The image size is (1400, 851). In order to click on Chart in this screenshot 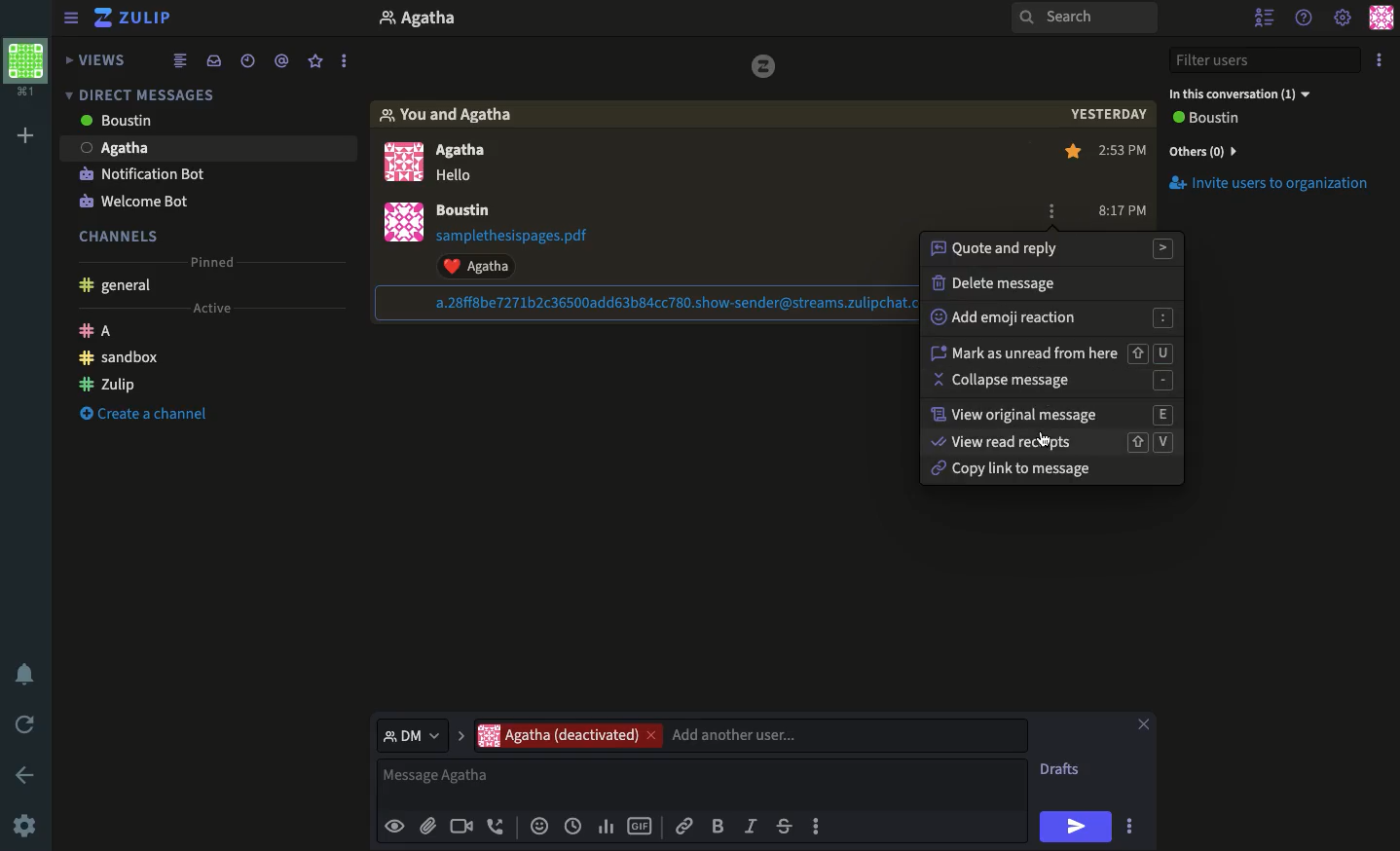, I will do `click(607, 827)`.